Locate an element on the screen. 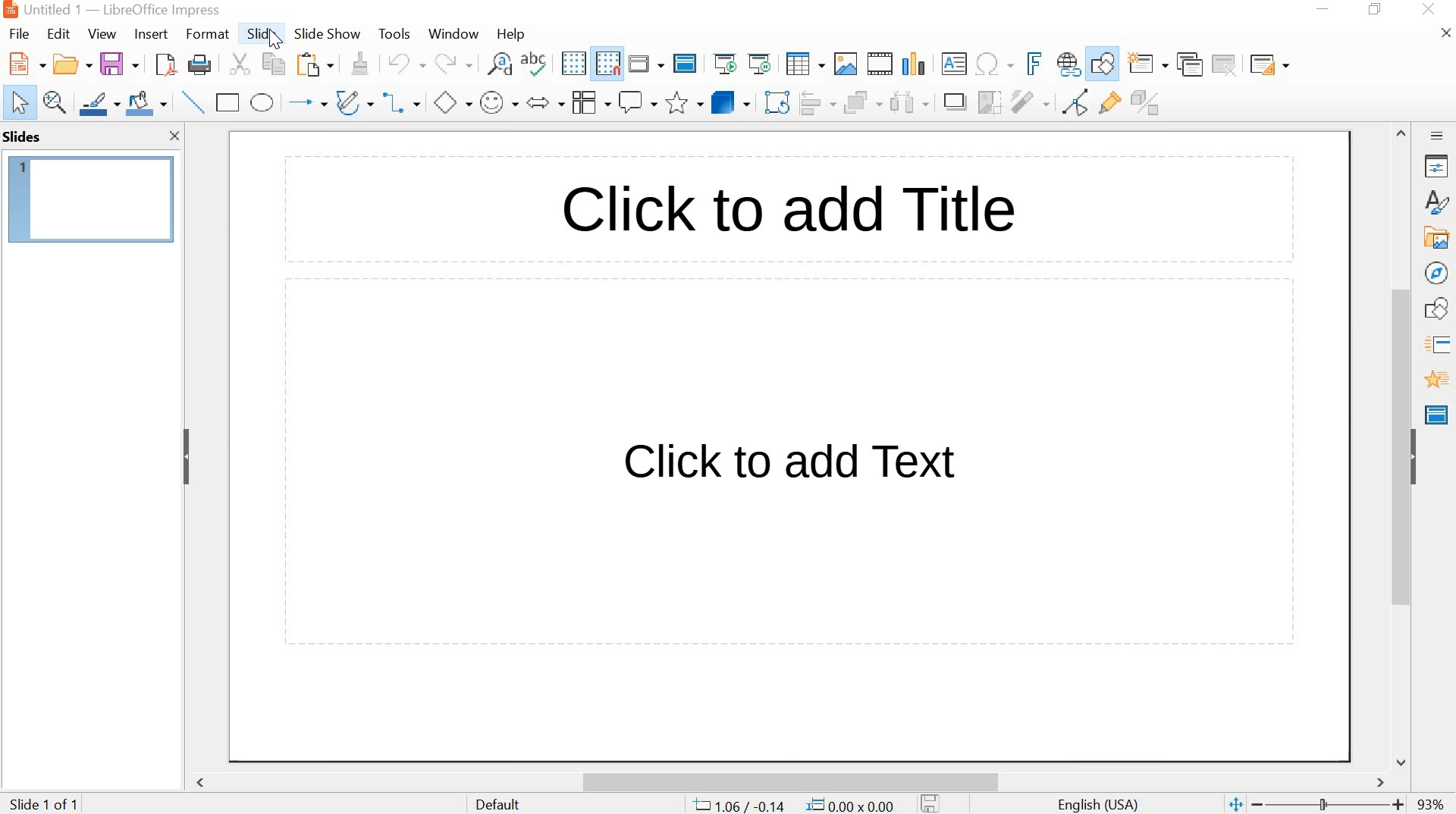 The image size is (1456, 814). FORMAT is located at coordinates (206, 36).